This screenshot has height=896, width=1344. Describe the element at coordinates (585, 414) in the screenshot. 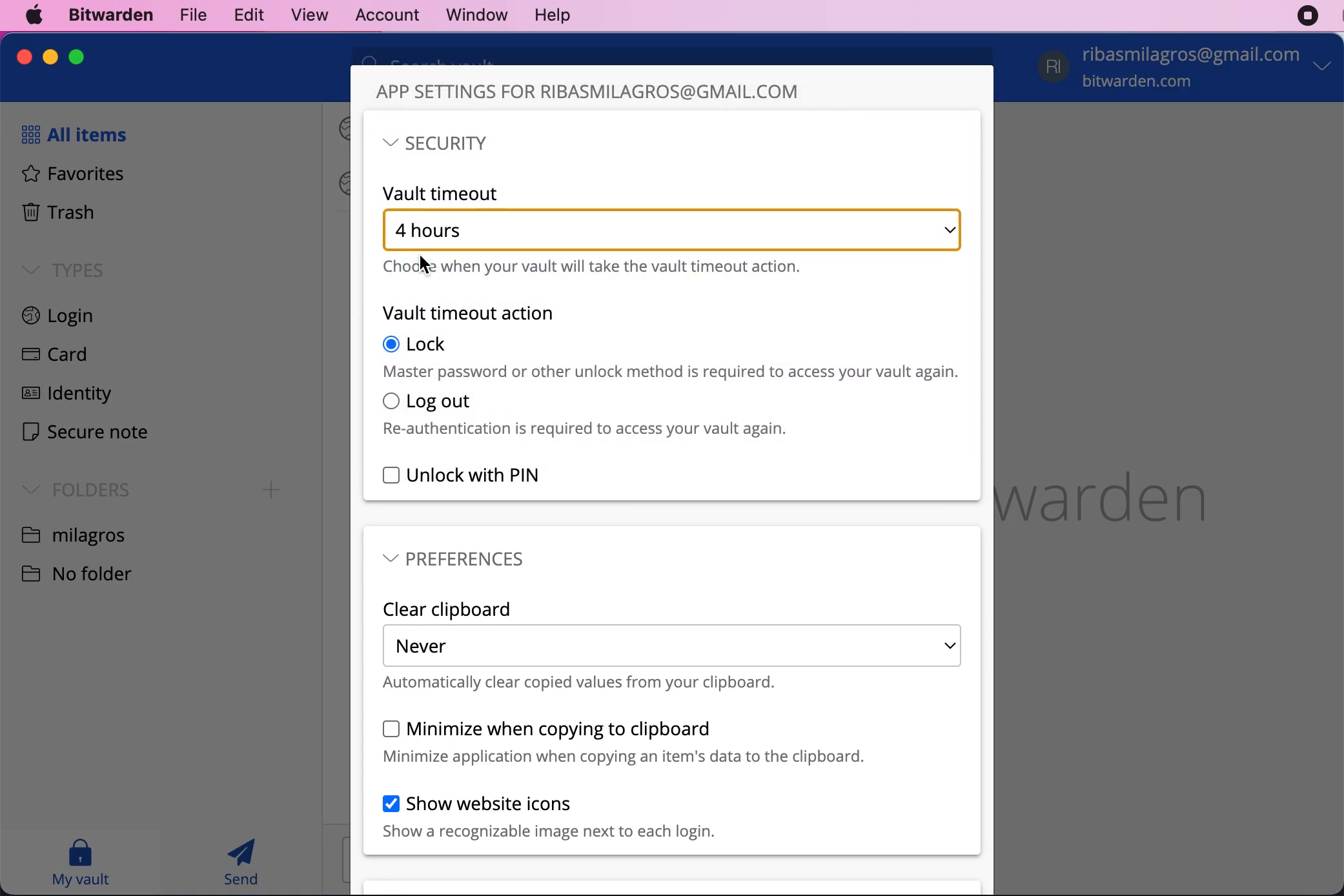

I see `log out` at that location.